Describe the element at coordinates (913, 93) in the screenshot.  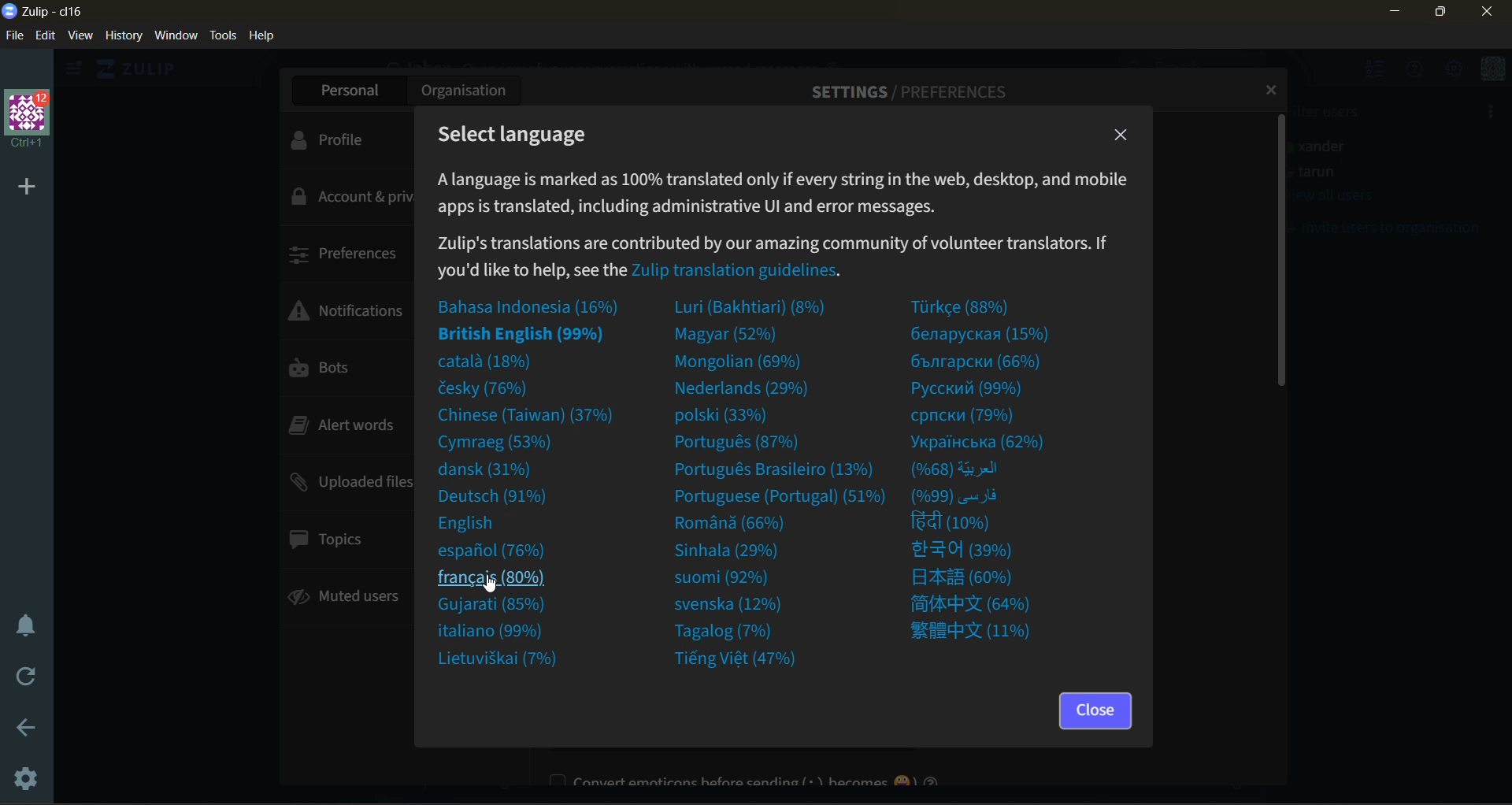
I see `settings/preferences` at that location.